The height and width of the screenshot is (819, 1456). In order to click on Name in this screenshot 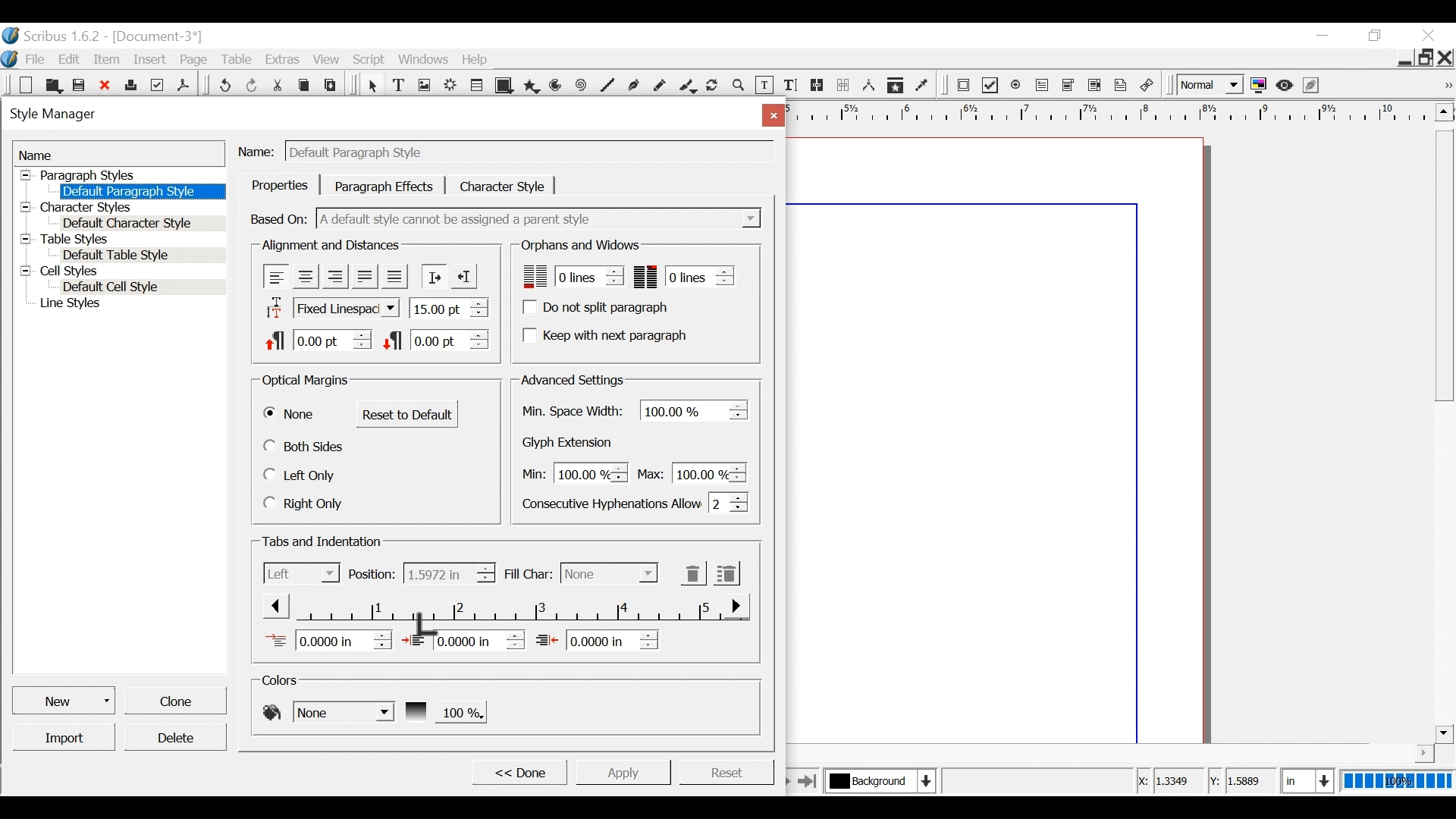, I will do `click(259, 149)`.